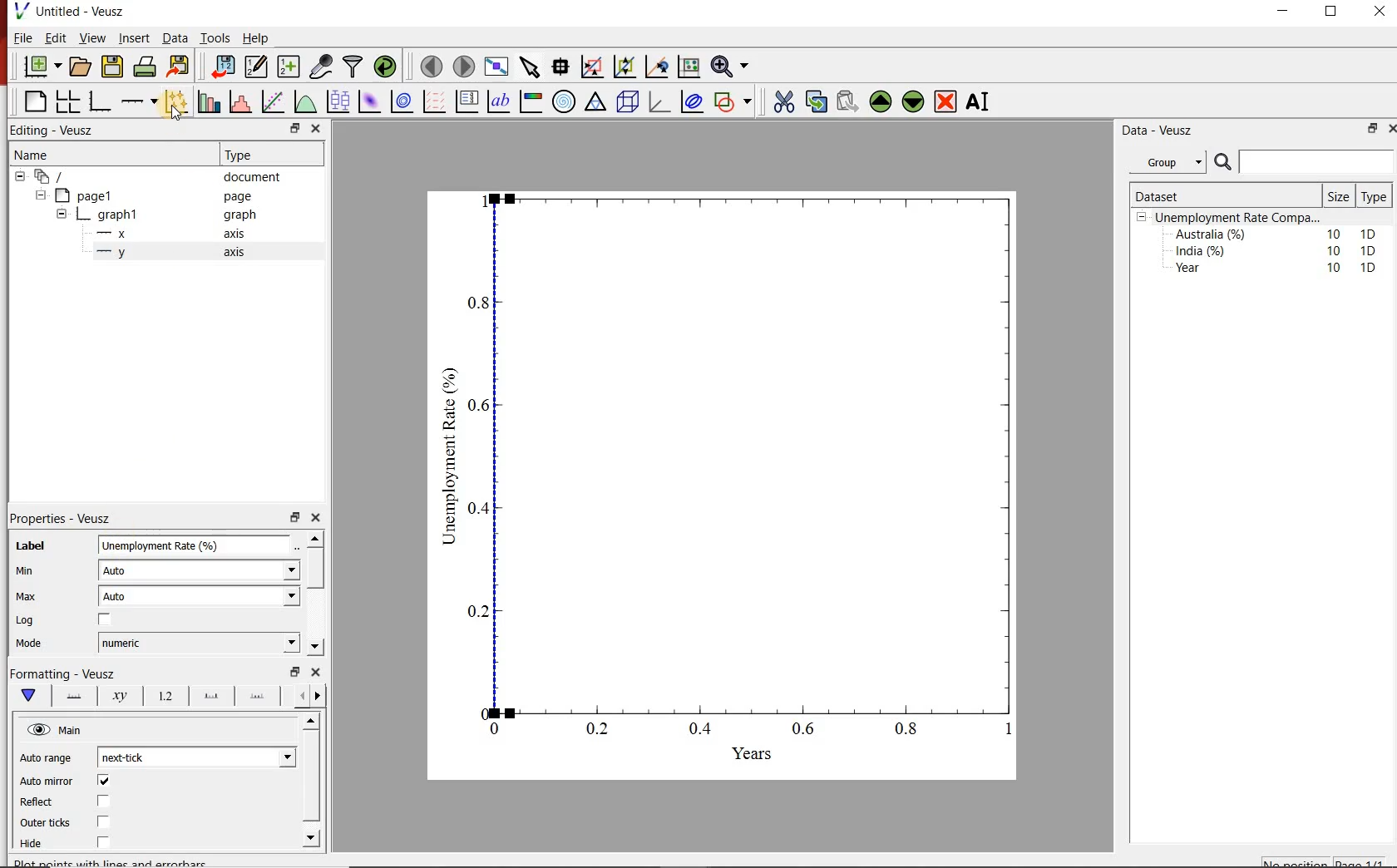 The image size is (1397, 868). What do you see at coordinates (67, 101) in the screenshot?
I see `arrange graphs` at bounding box center [67, 101].